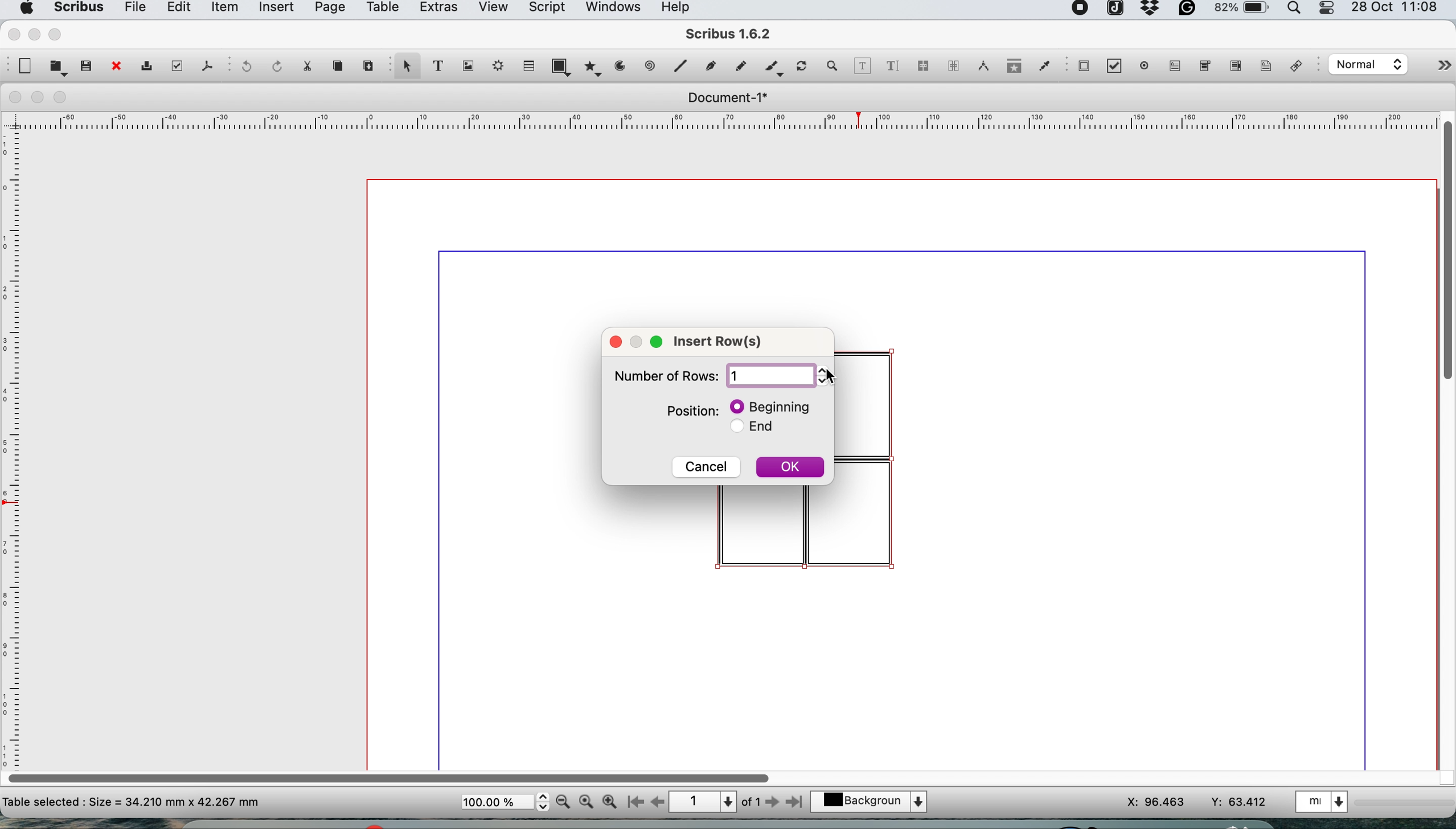 The width and height of the screenshot is (1456, 829). What do you see at coordinates (1324, 801) in the screenshot?
I see `select the current unit` at bounding box center [1324, 801].